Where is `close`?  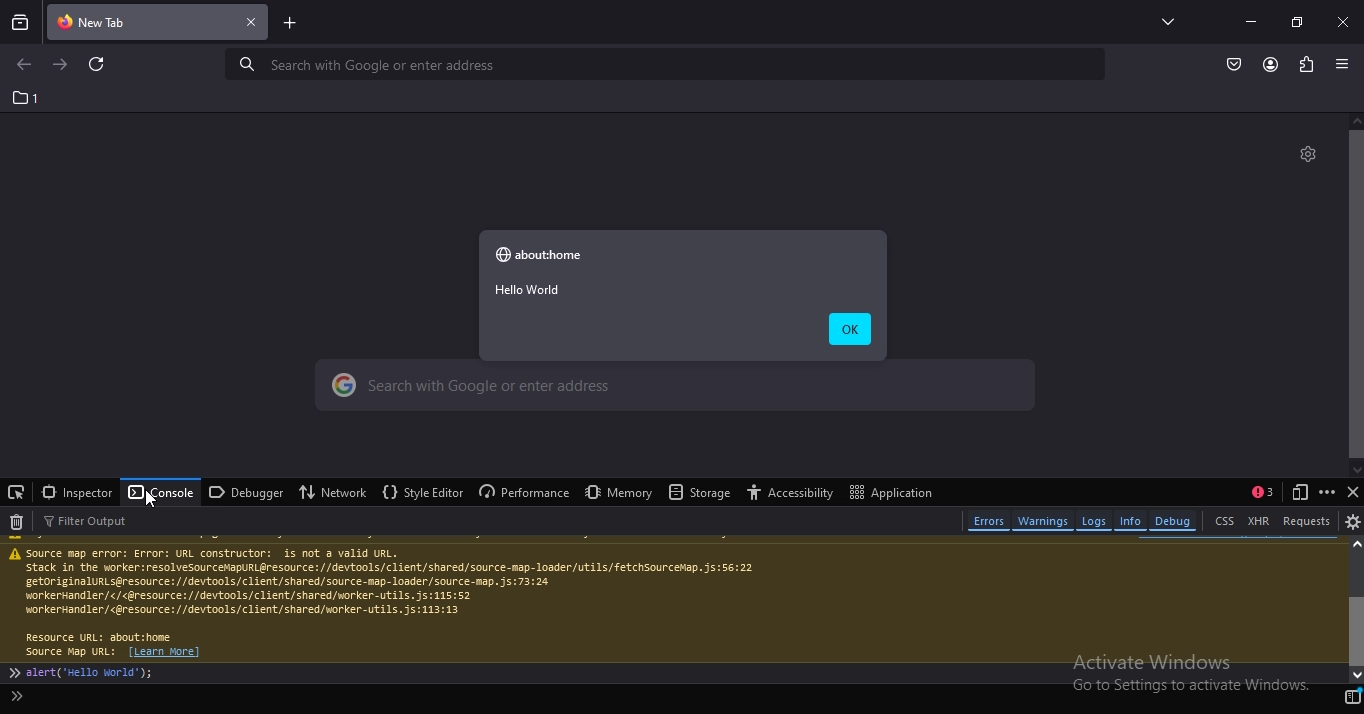 close is located at coordinates (1352, 491).